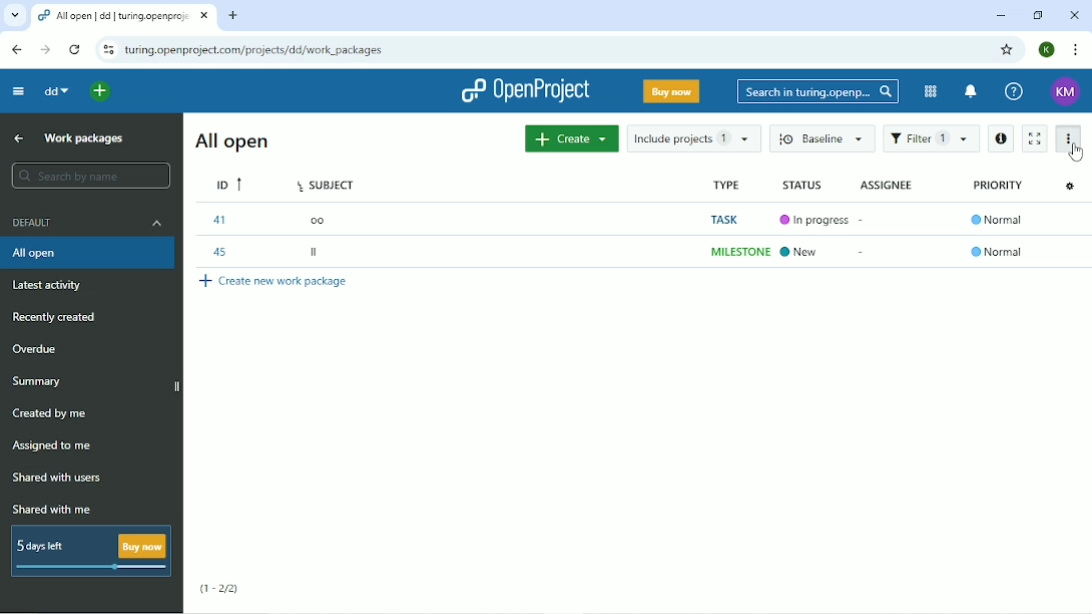 The image size is (1092, 614). Describe the element at coordinates (1000, 253) in the screenshot. I see `Normal` at that location.